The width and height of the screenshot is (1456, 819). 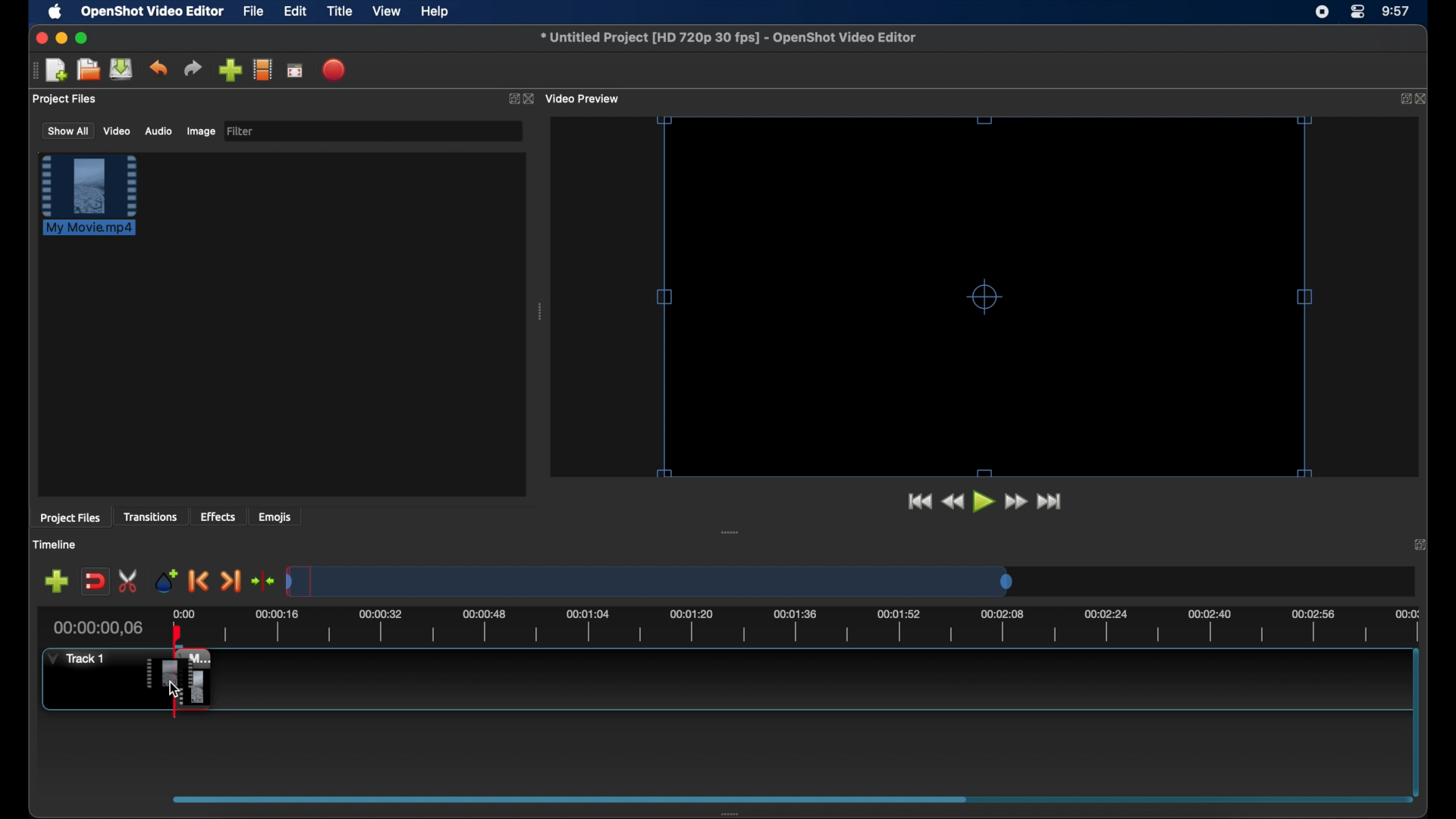 What do you see at coordinates (1423, 544) in the screenshot?
I see `expand` at bounding box center [1423, 544].